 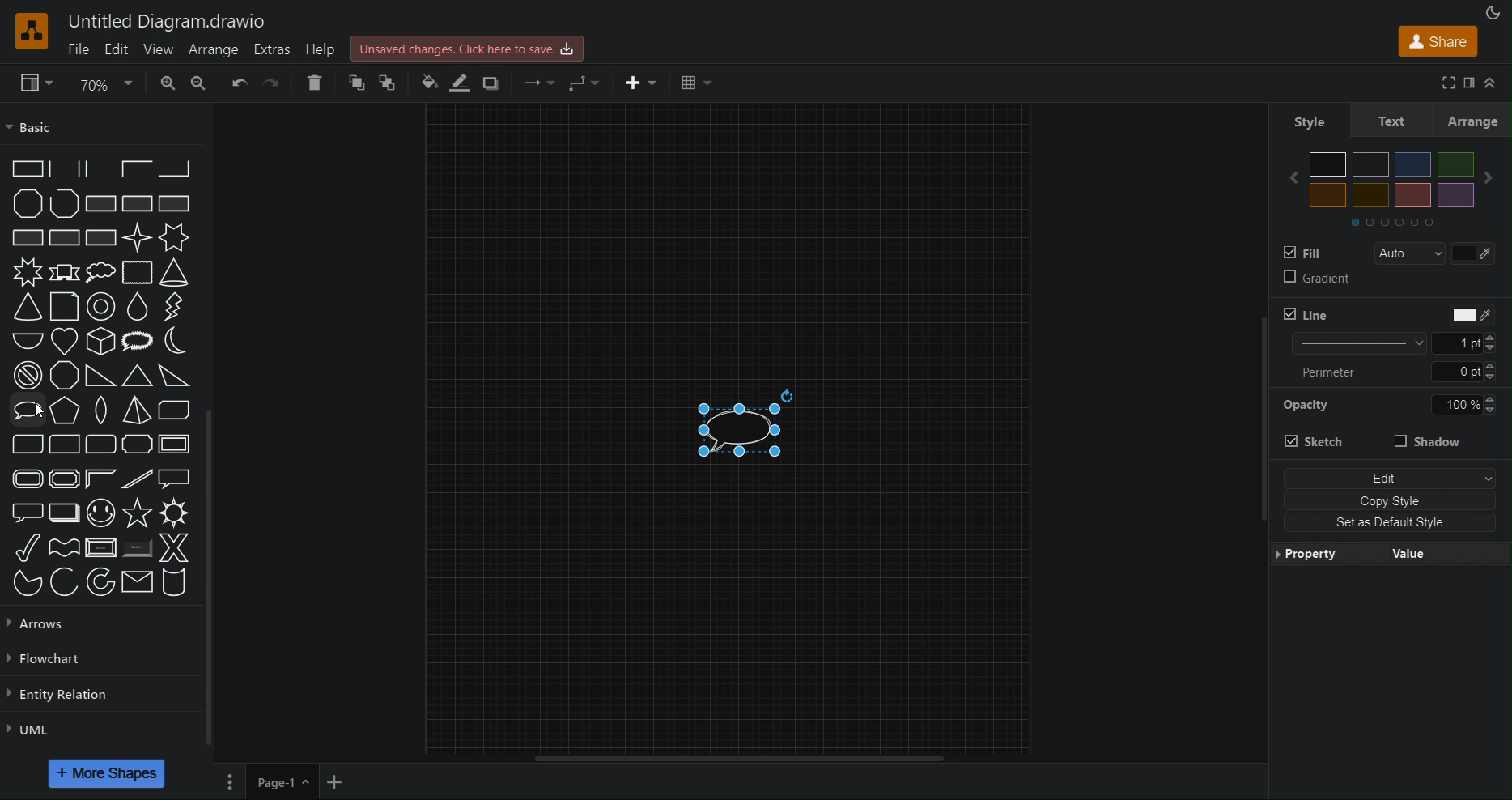 What do you see at coordinates (1388, 407) in the screenshot?
I see `Opacity value` at bounding box center [1388, 407].